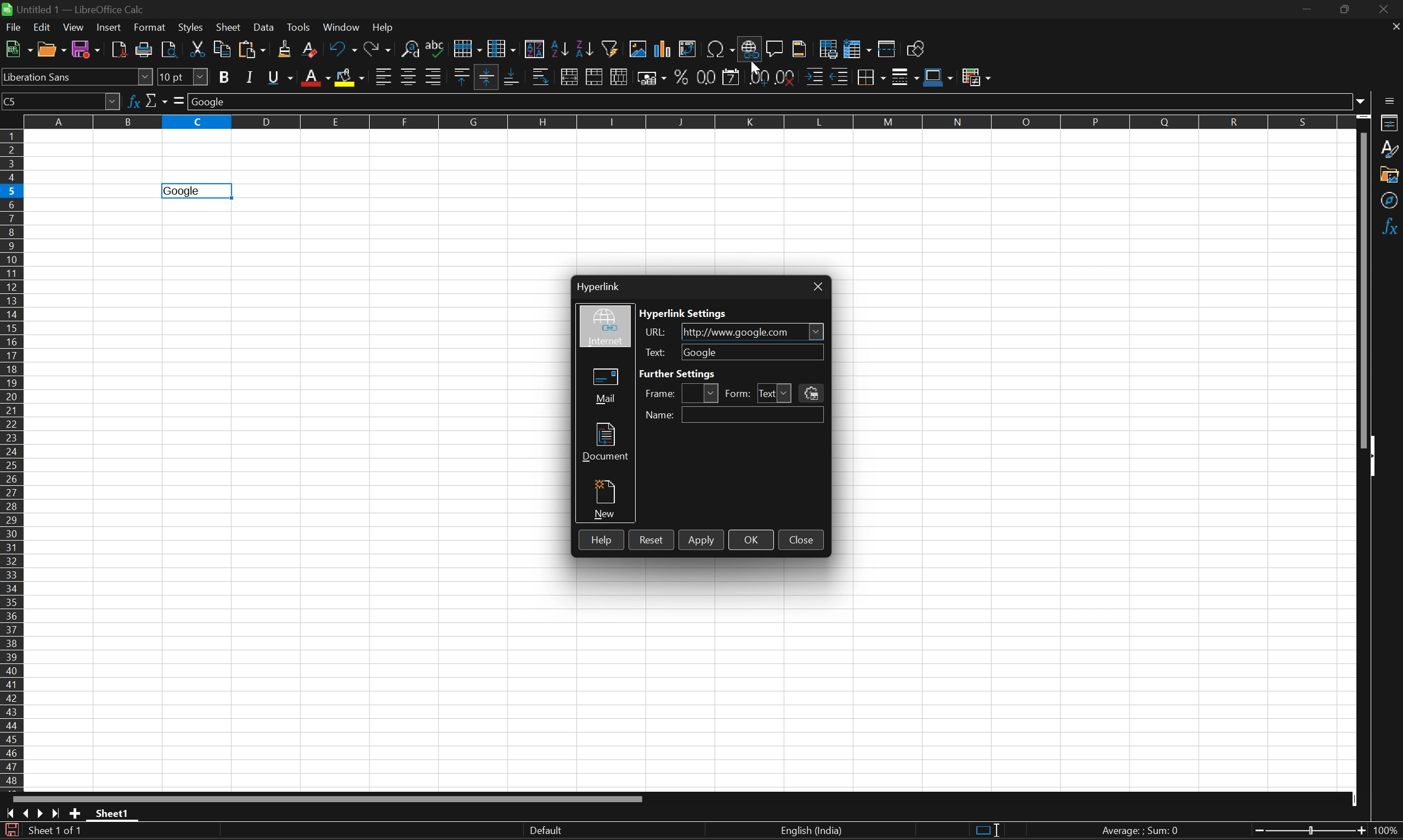 The width and height of the screenshot is (1403, 840). What do you see at coordinates (906, 76) in the screenshot?
I see `Border style` at bounding box center [906, 76].